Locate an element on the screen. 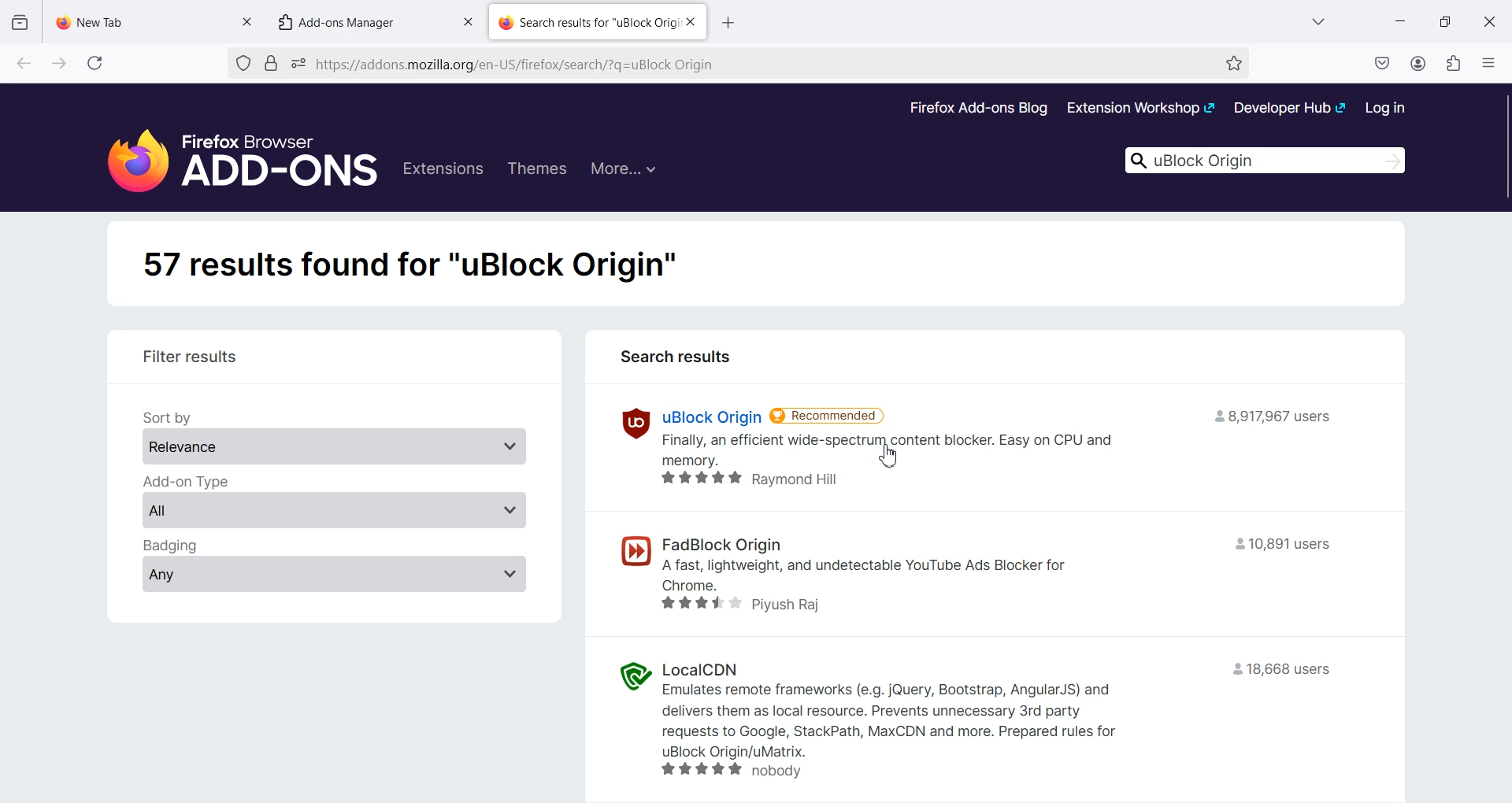 This screenshot has width=1512, height=803. uBlock Origin is located at coordinates (625, 422).